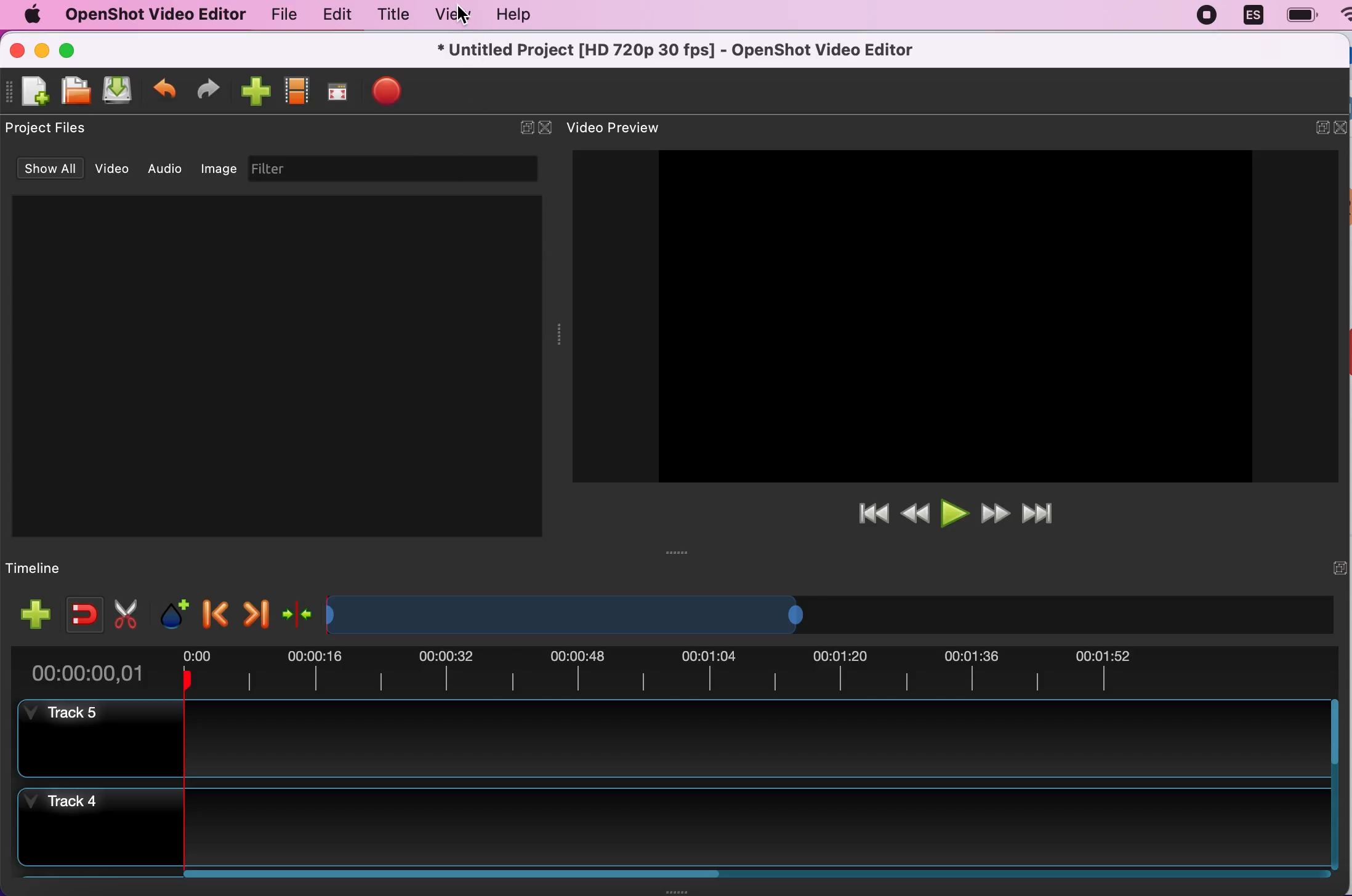 This screenshot has height=896, width=1352. I want to click on center the timeline, so click(298, 611).